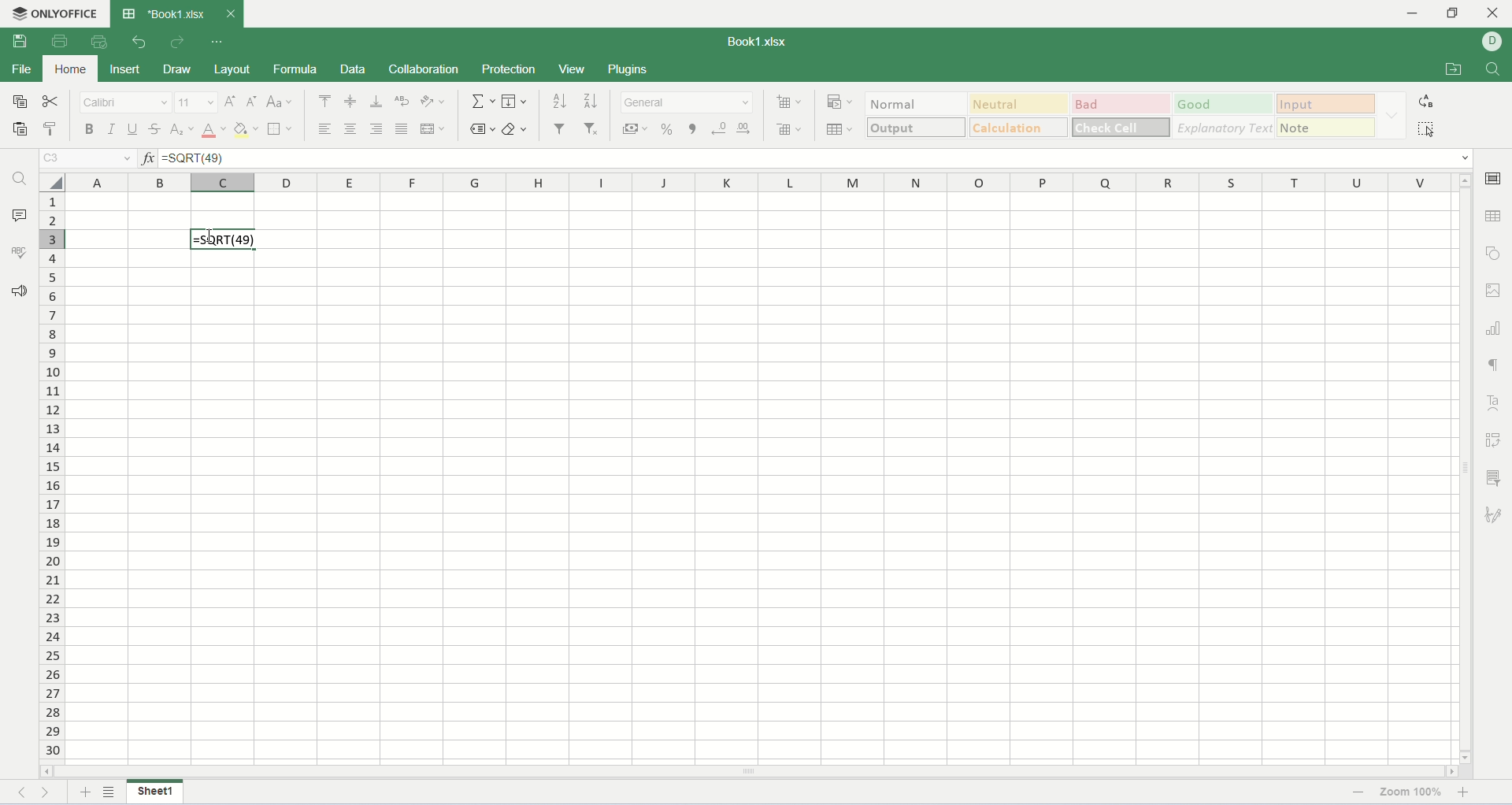  I want to click on input line, so click(818, 158).